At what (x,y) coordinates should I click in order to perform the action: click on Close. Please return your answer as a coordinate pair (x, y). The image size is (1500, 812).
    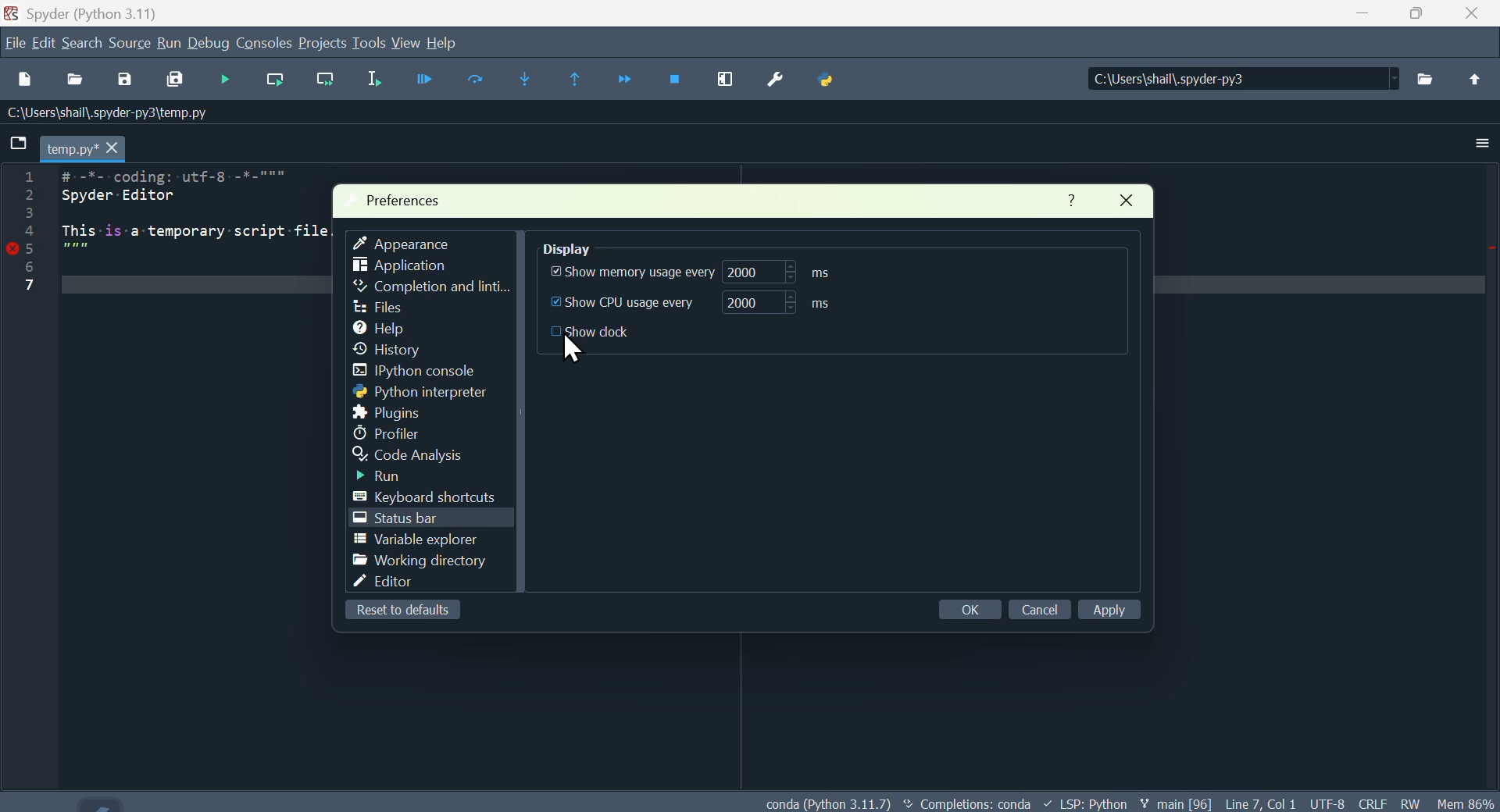
    Looking at the image, I should click on (1138, 203).